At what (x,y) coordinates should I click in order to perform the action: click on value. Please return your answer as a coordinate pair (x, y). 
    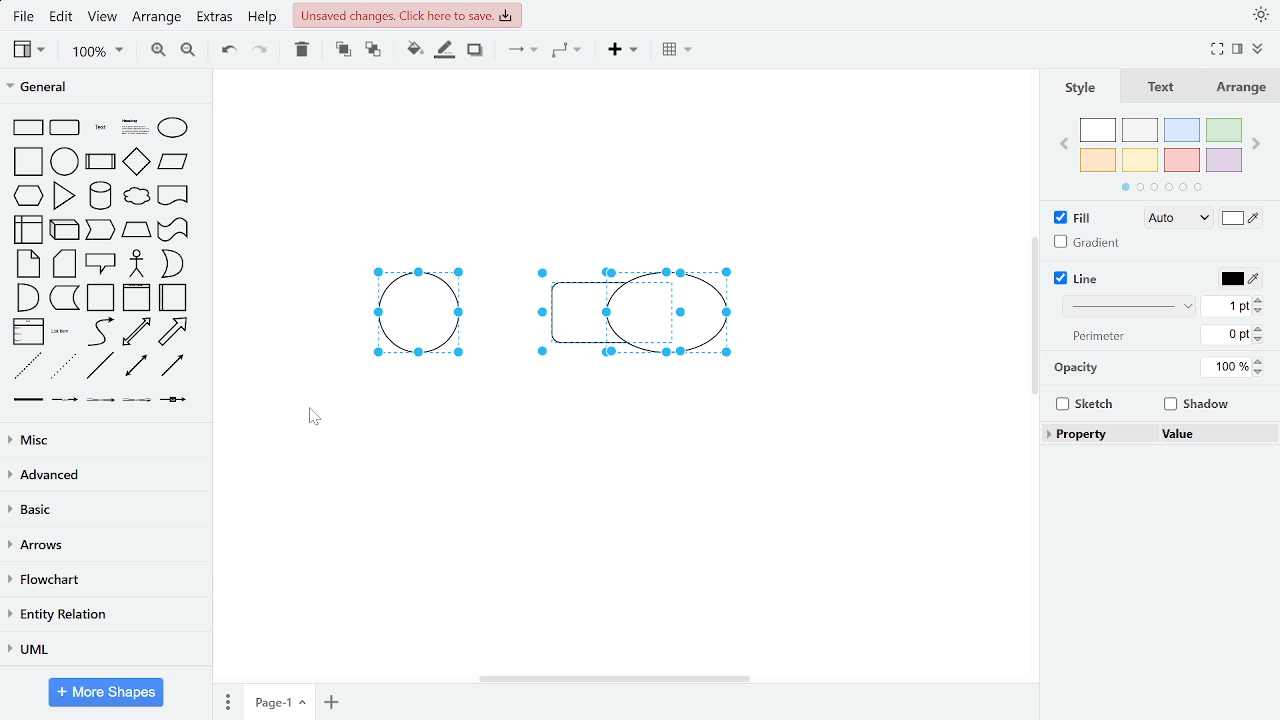
    Looking at the image, I should click on (1214, 433).